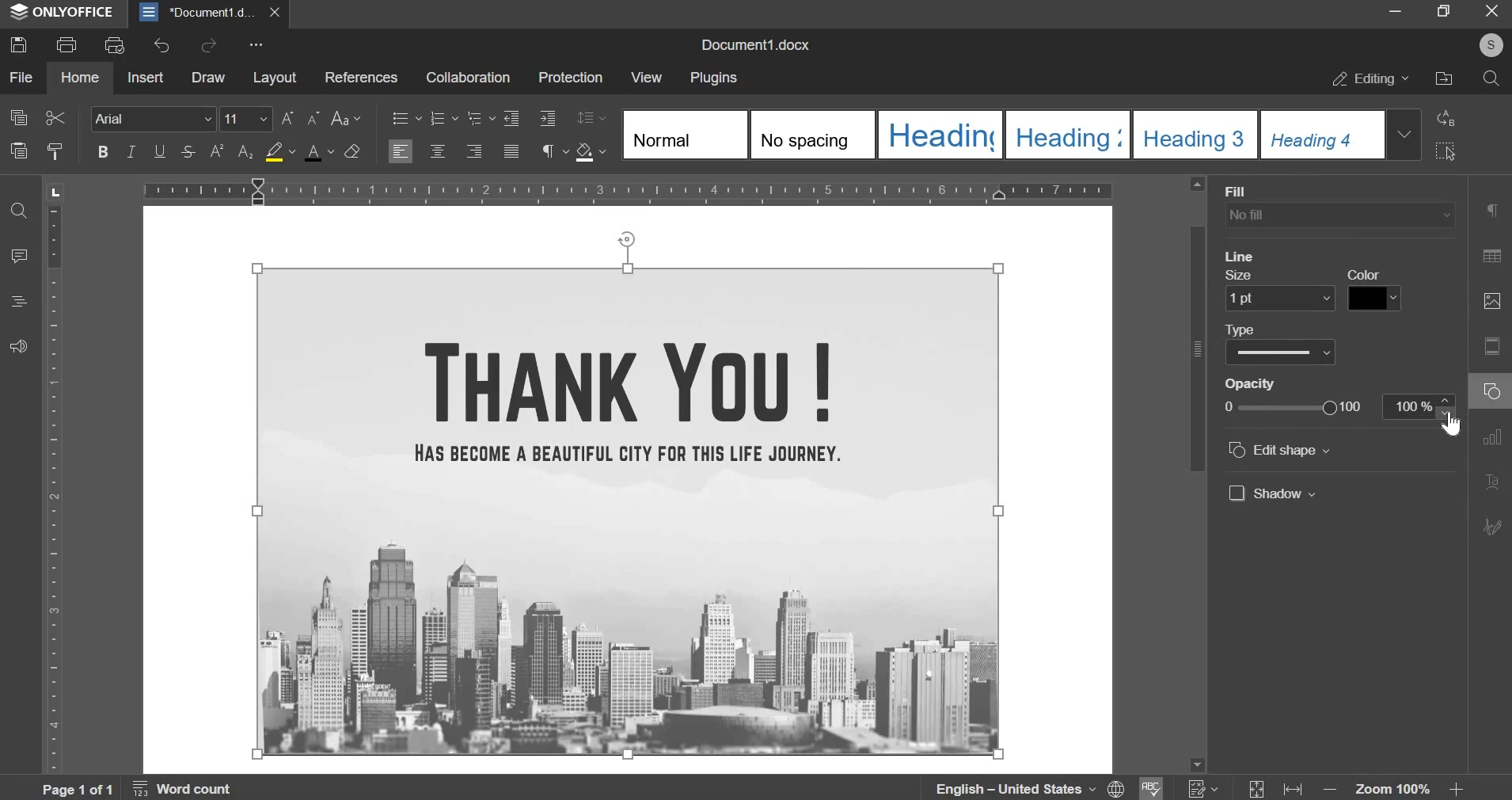 Image resolution: width=1512 pixels, height=800 pixels. Describe the element at coordinates (479, 116) in the screenshot. I see `multilevel list` at that location.